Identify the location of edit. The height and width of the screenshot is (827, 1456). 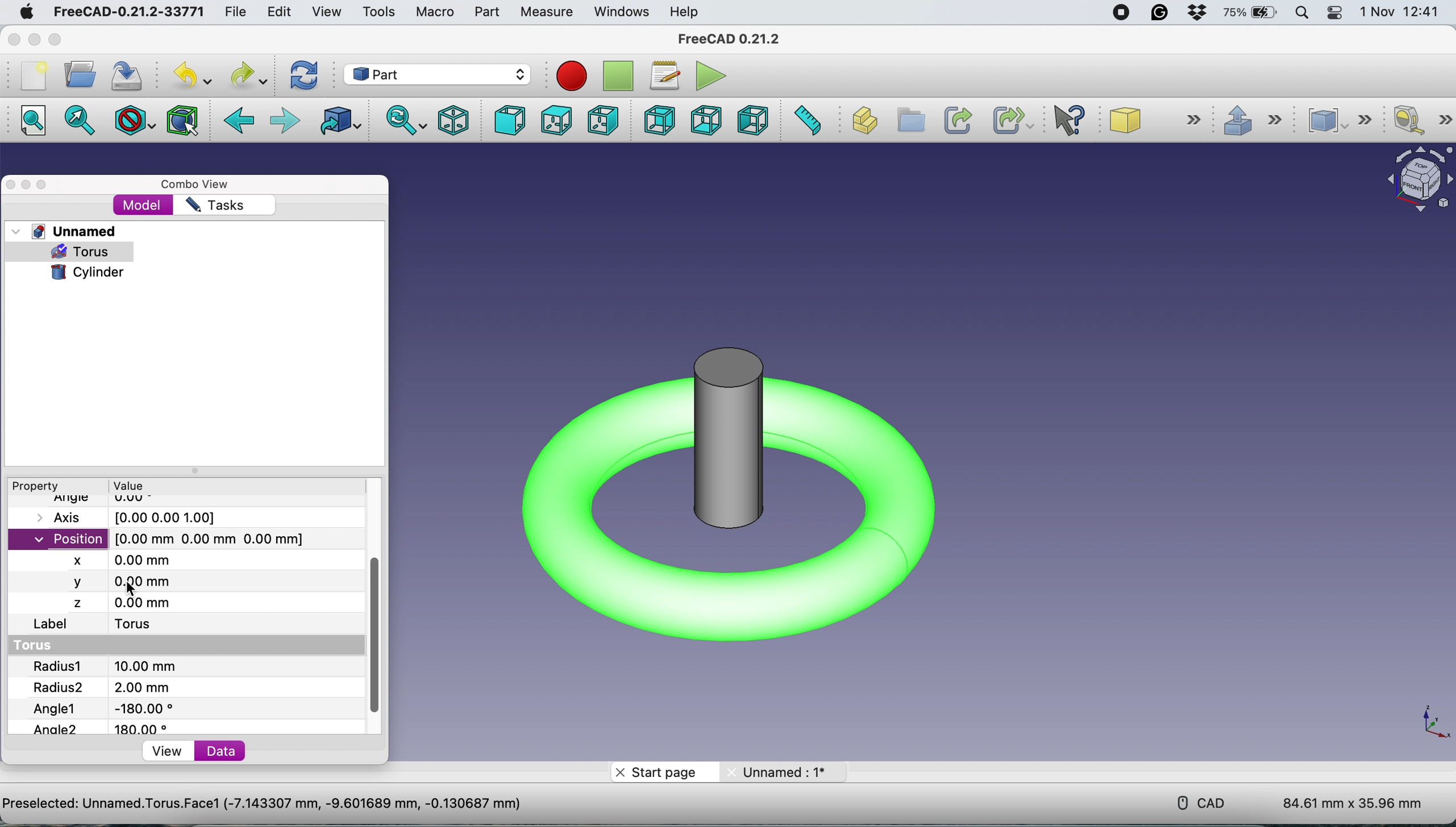
(277, 12).